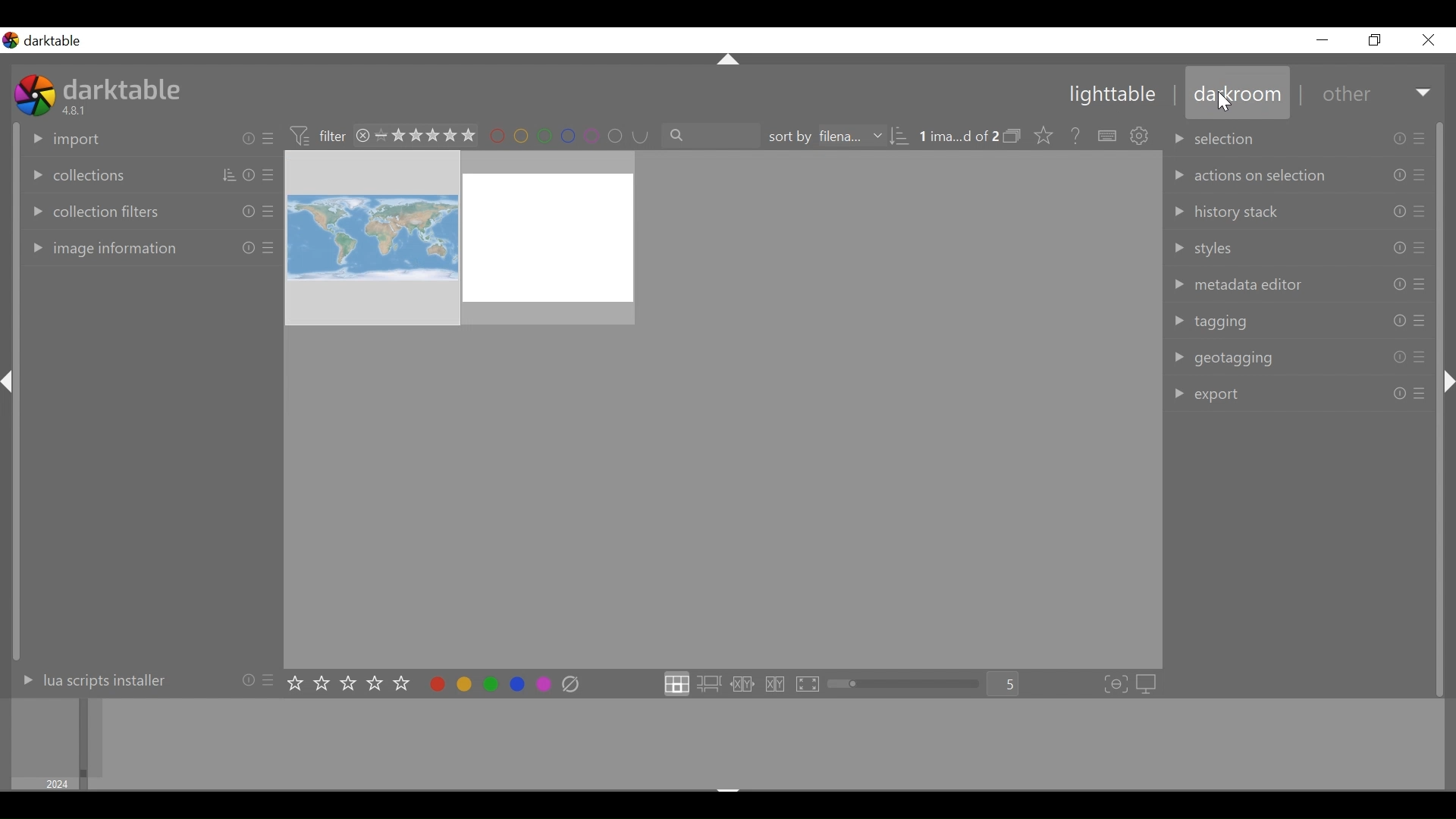 This screenshot has height=819, width=1456. What do you see at coordinates (712, 685) in the screenshot?
I see `click to enter zoomable lighttable layout` at bounding box center [712, 685].